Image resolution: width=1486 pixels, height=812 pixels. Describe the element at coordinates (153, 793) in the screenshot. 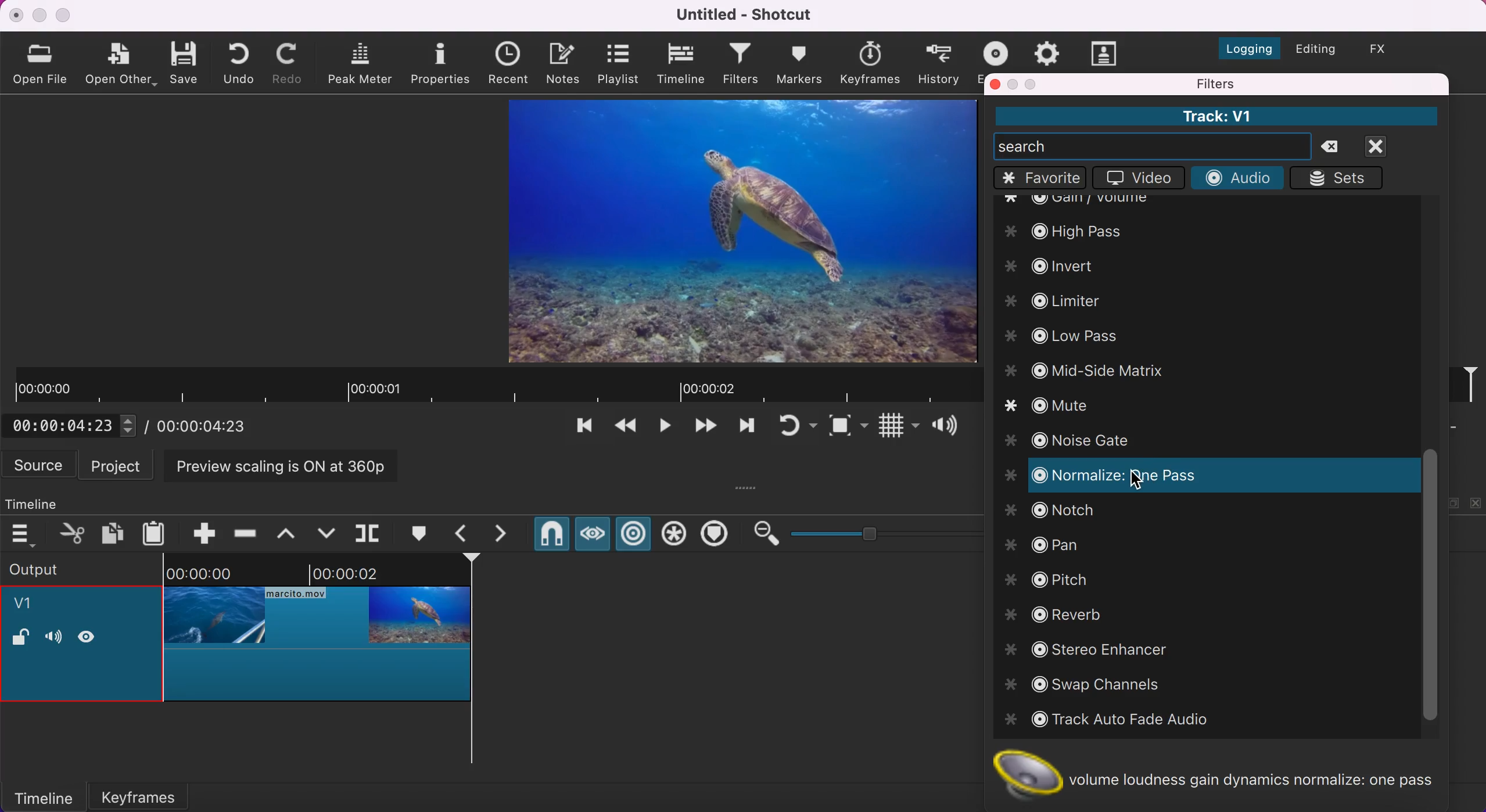

I see `keyframes` at that location.